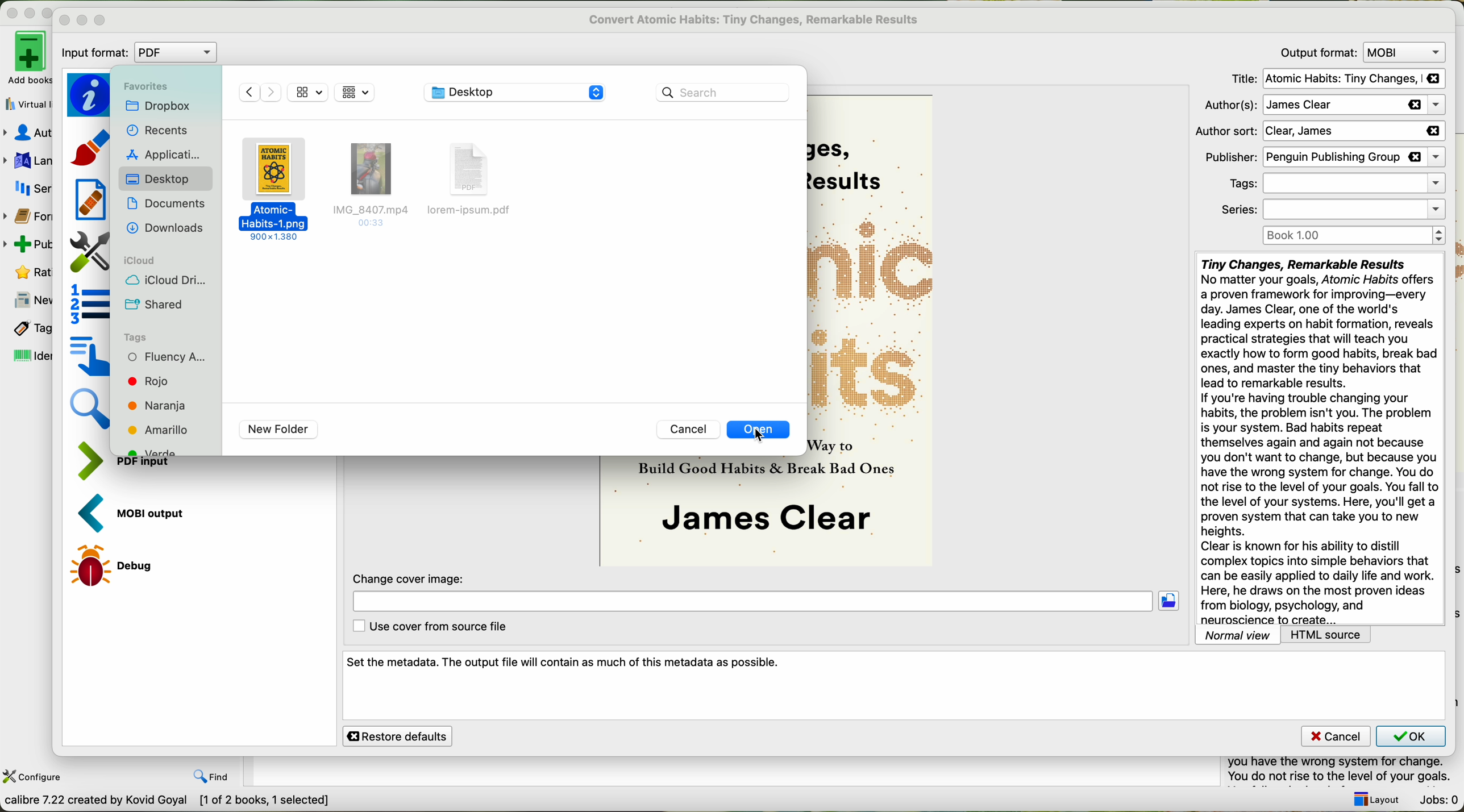  Describe the element at coordinates (278, 430) in the screenshot. I see `new folder` at that location.